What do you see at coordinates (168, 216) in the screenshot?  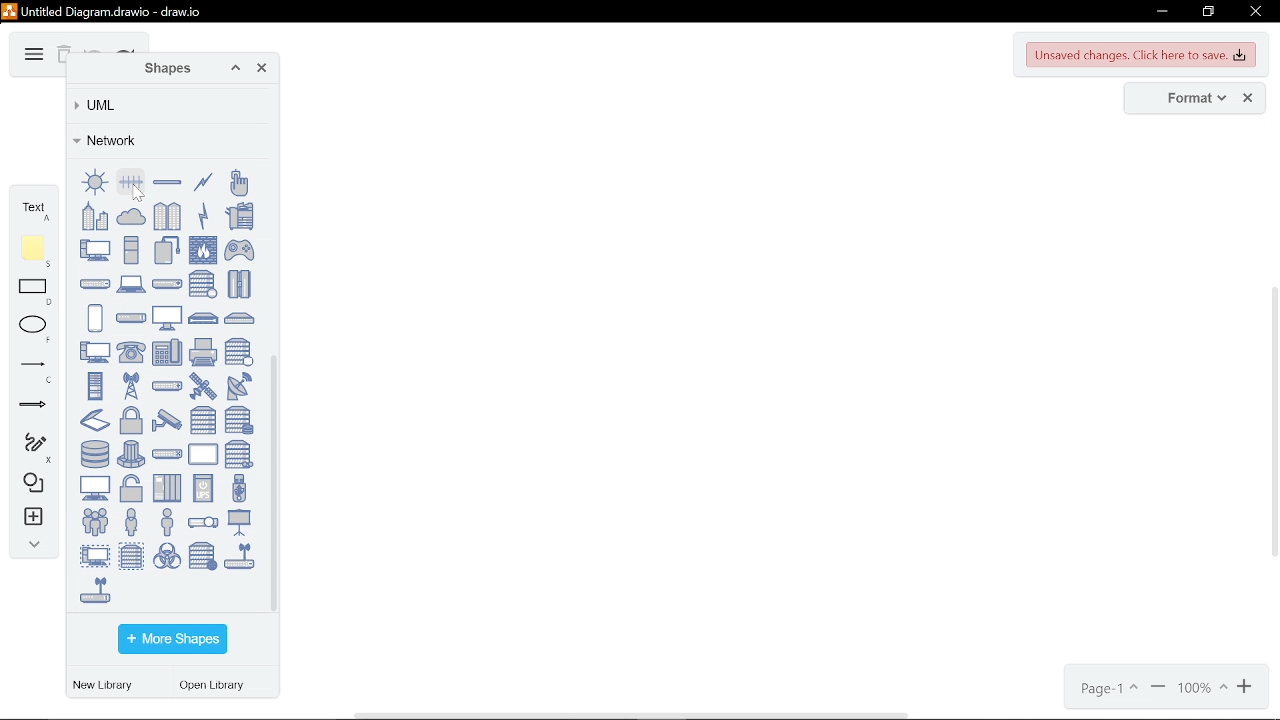 I see `community` at bounding box center [168, 216].